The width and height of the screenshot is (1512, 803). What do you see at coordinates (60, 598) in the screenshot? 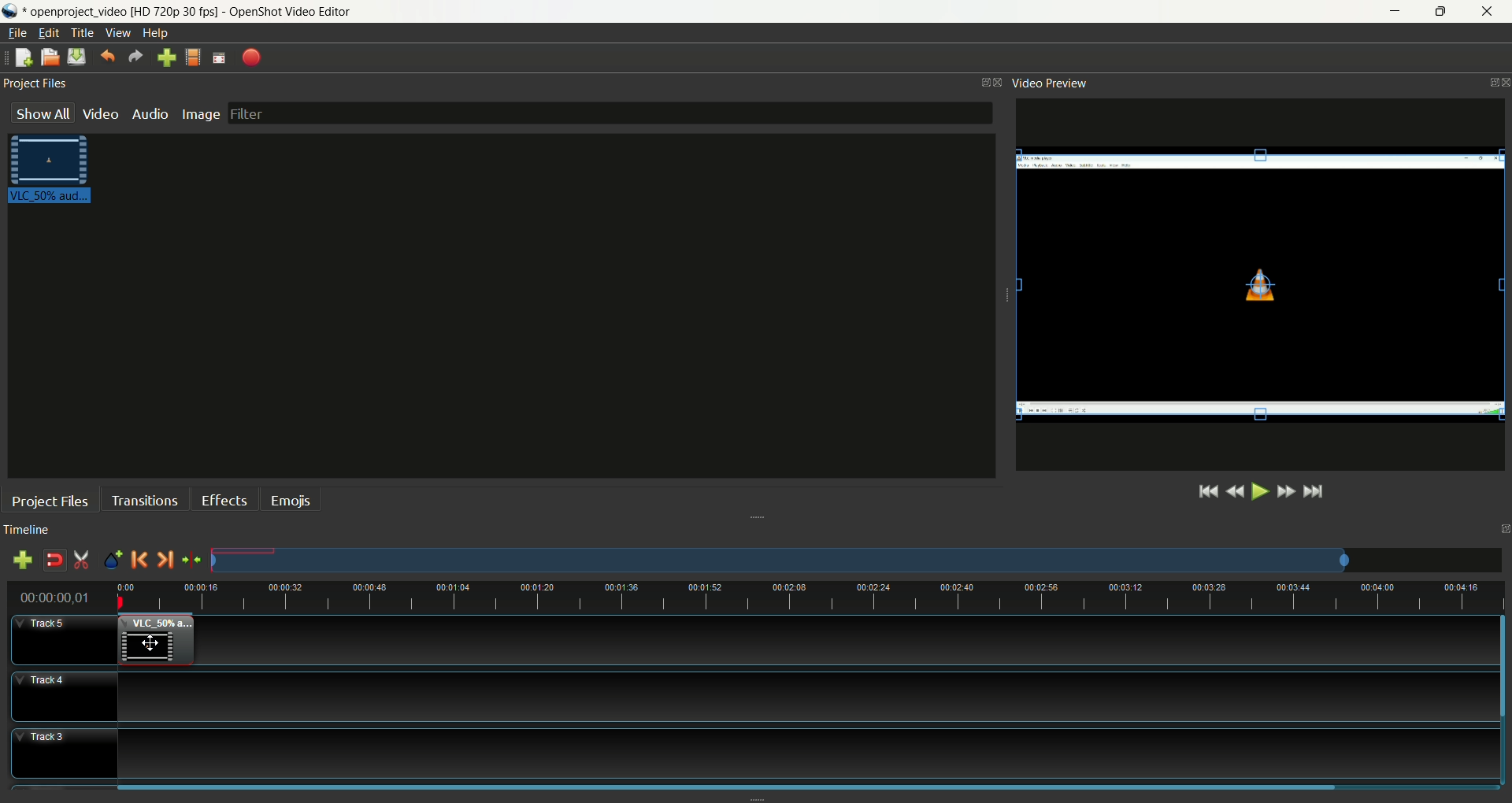
I see `time` at bounding box center [60, 598].